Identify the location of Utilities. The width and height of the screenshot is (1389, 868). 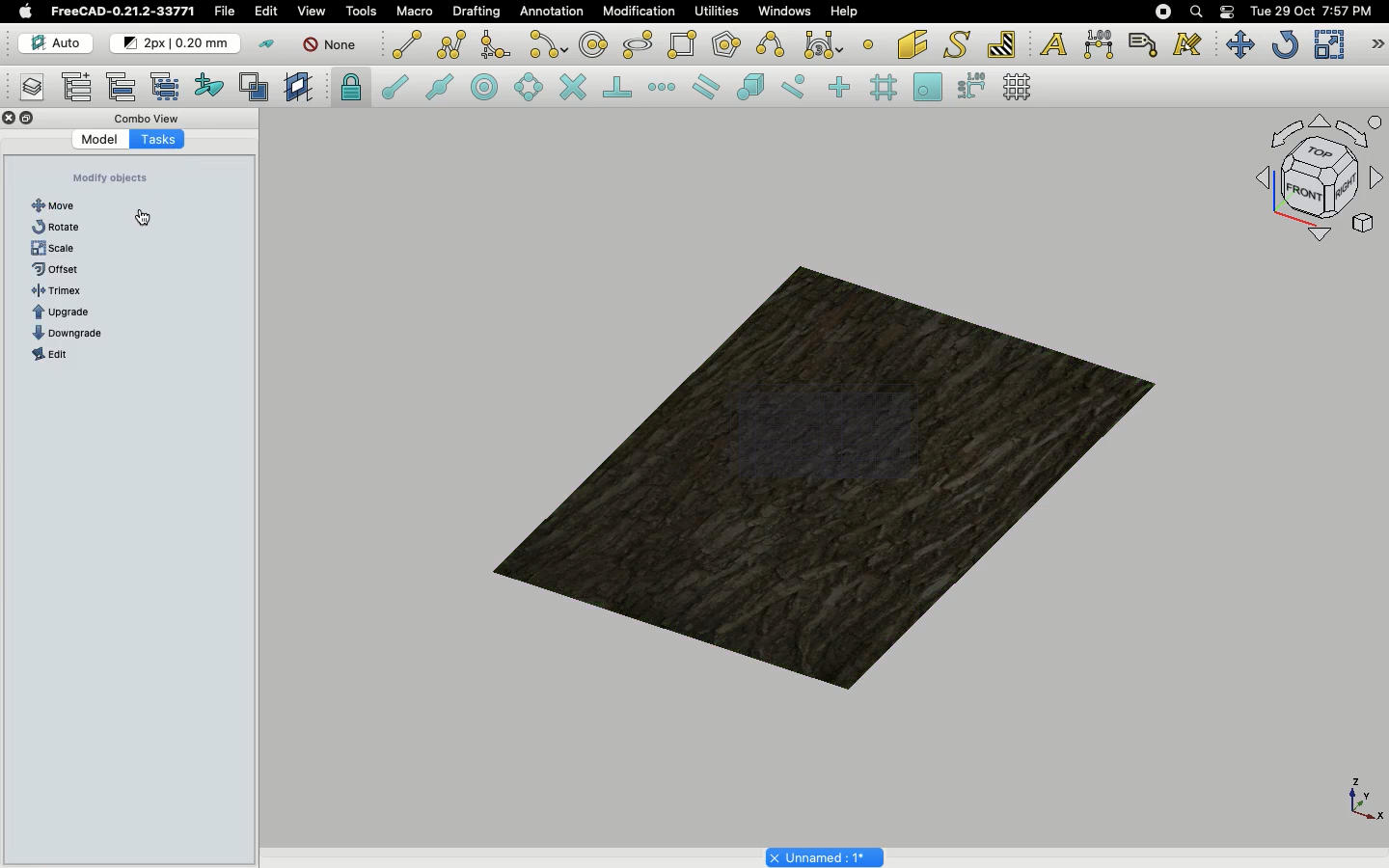
(717, 12).